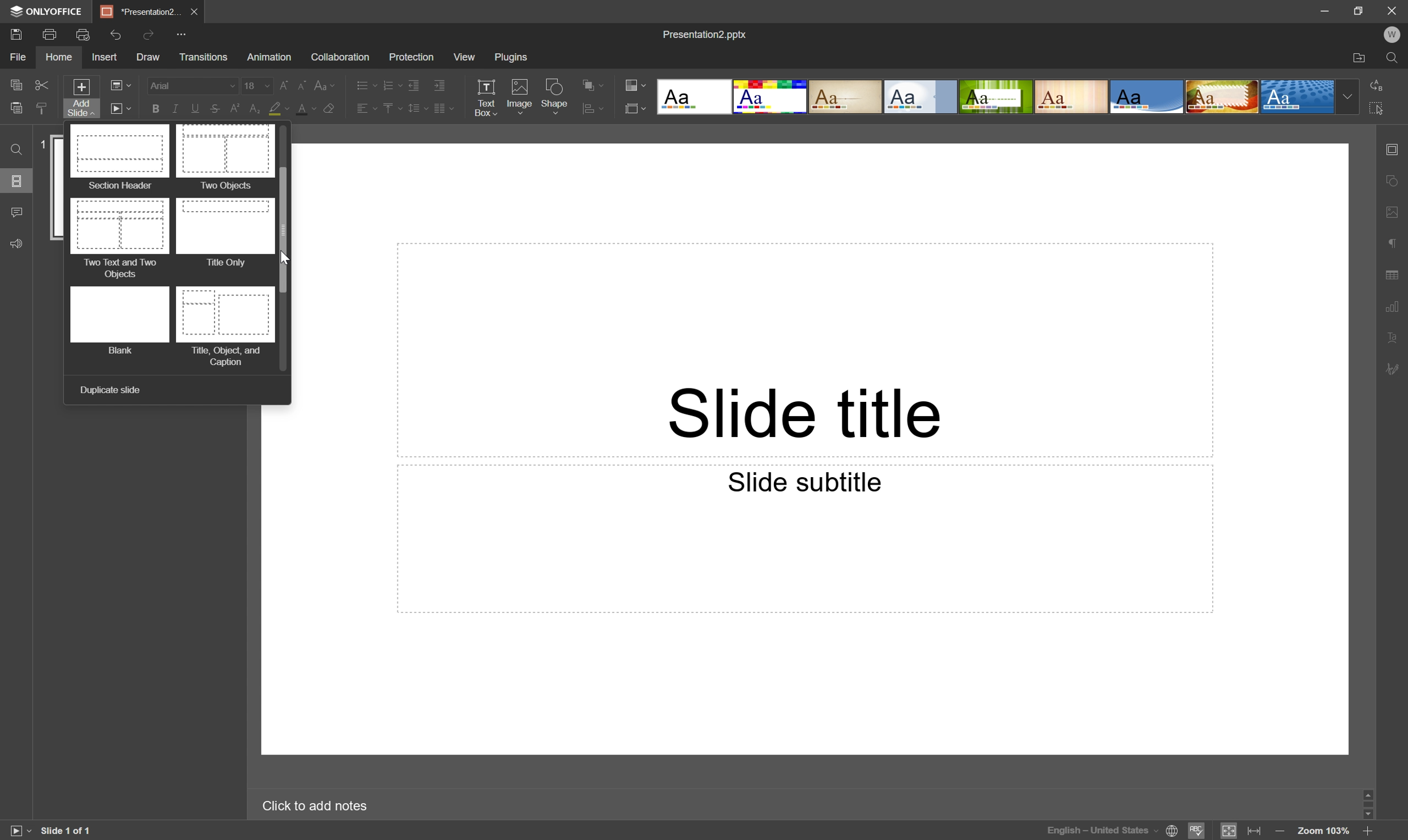 This screenshot has height=840, width=1408. Describe the element at coordinates (1395, 207) in the screenshot. I see `Image settings` at that location.